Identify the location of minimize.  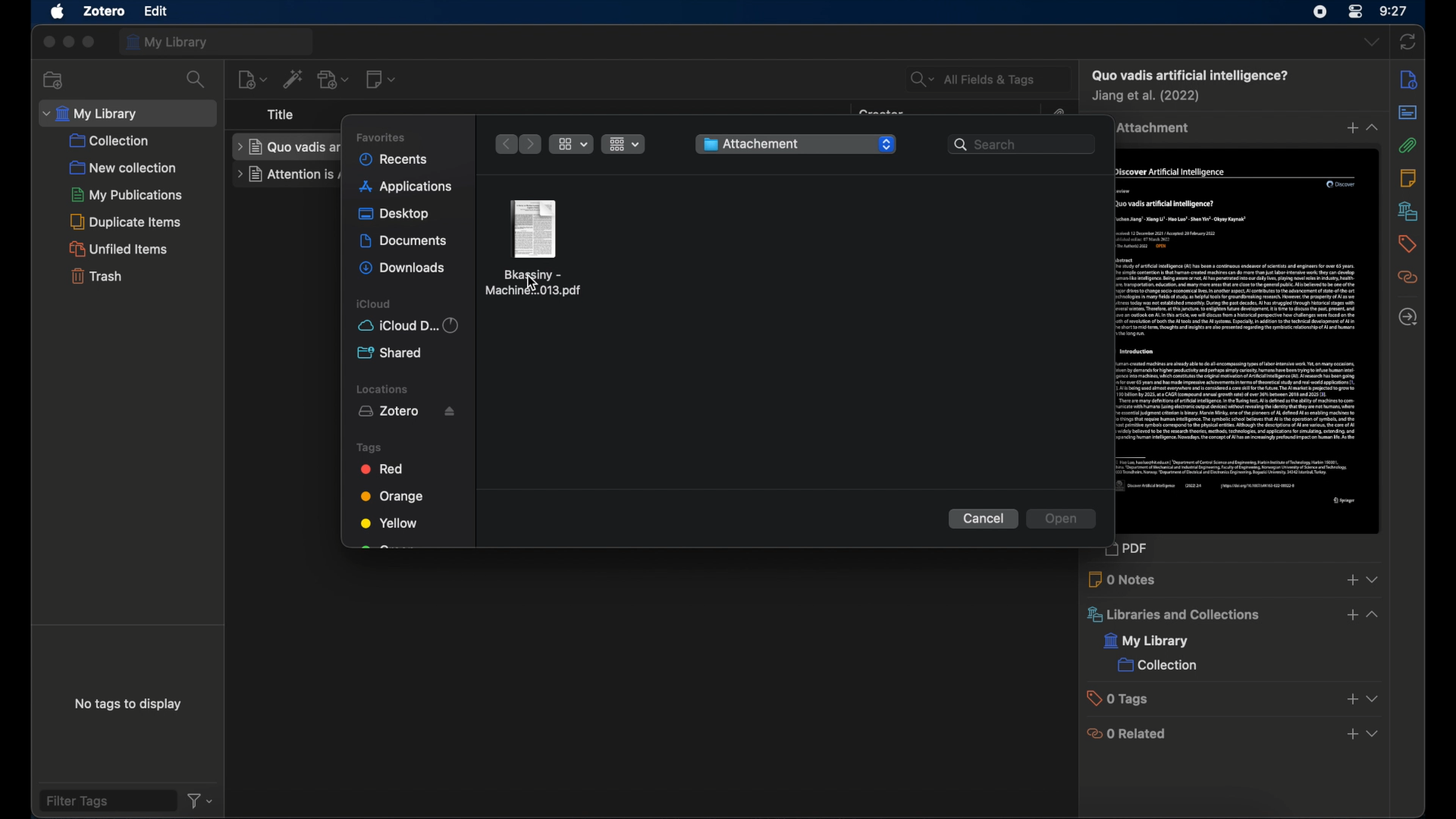
(69, 42).